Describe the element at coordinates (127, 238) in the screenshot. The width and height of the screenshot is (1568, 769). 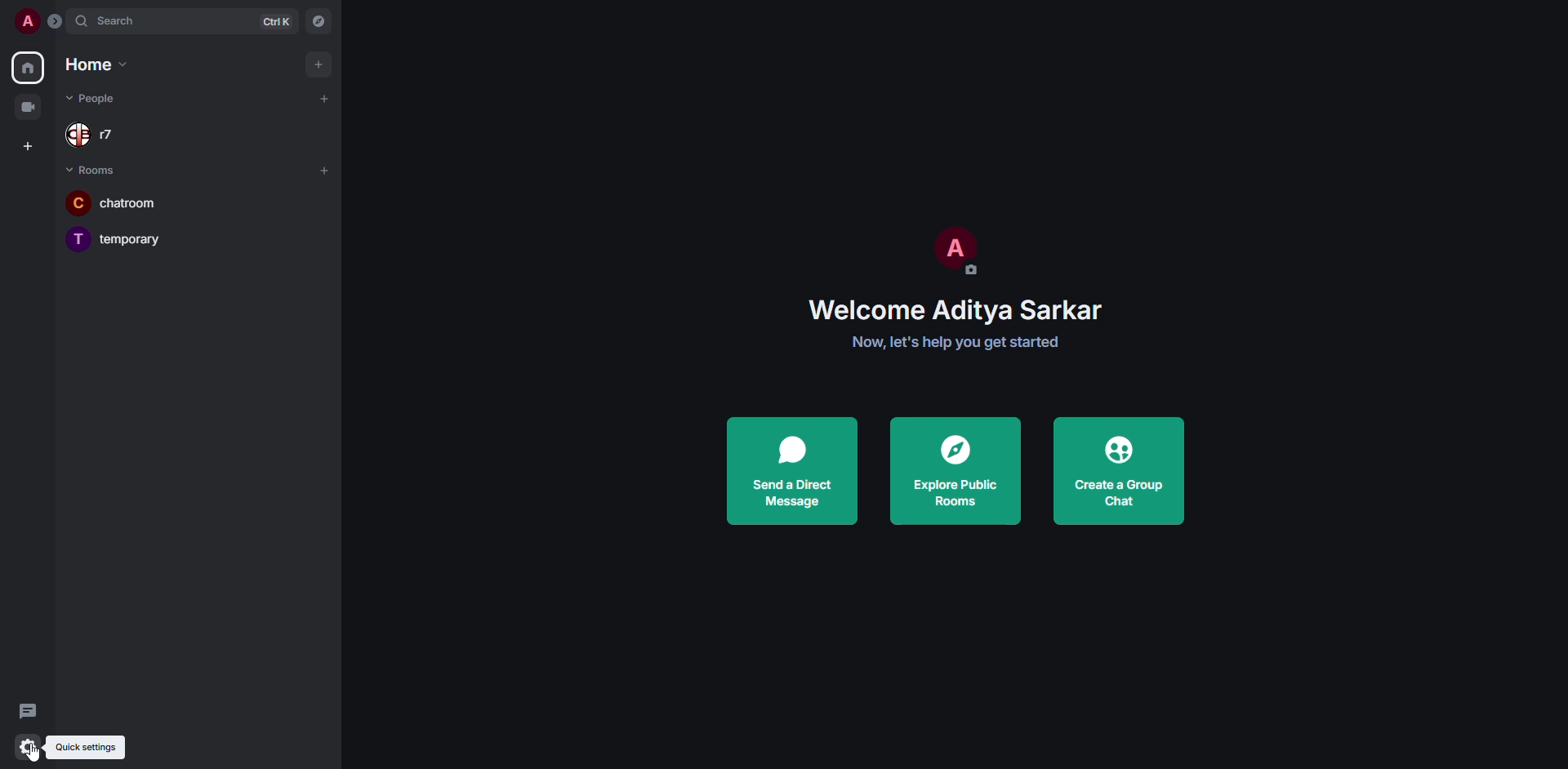
I see `room` at that location.